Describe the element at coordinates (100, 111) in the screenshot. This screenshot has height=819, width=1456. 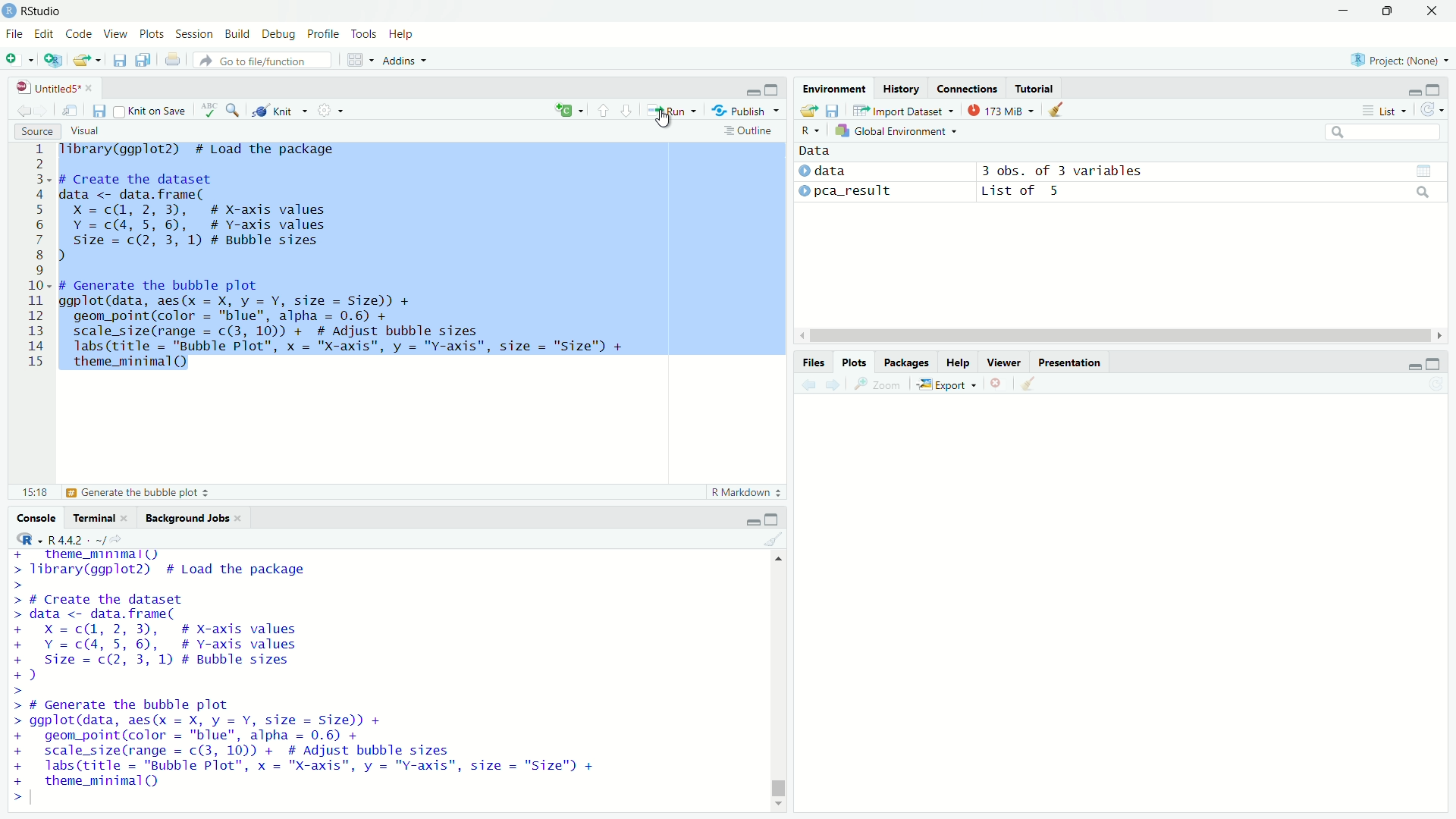
I see `save` at that location.